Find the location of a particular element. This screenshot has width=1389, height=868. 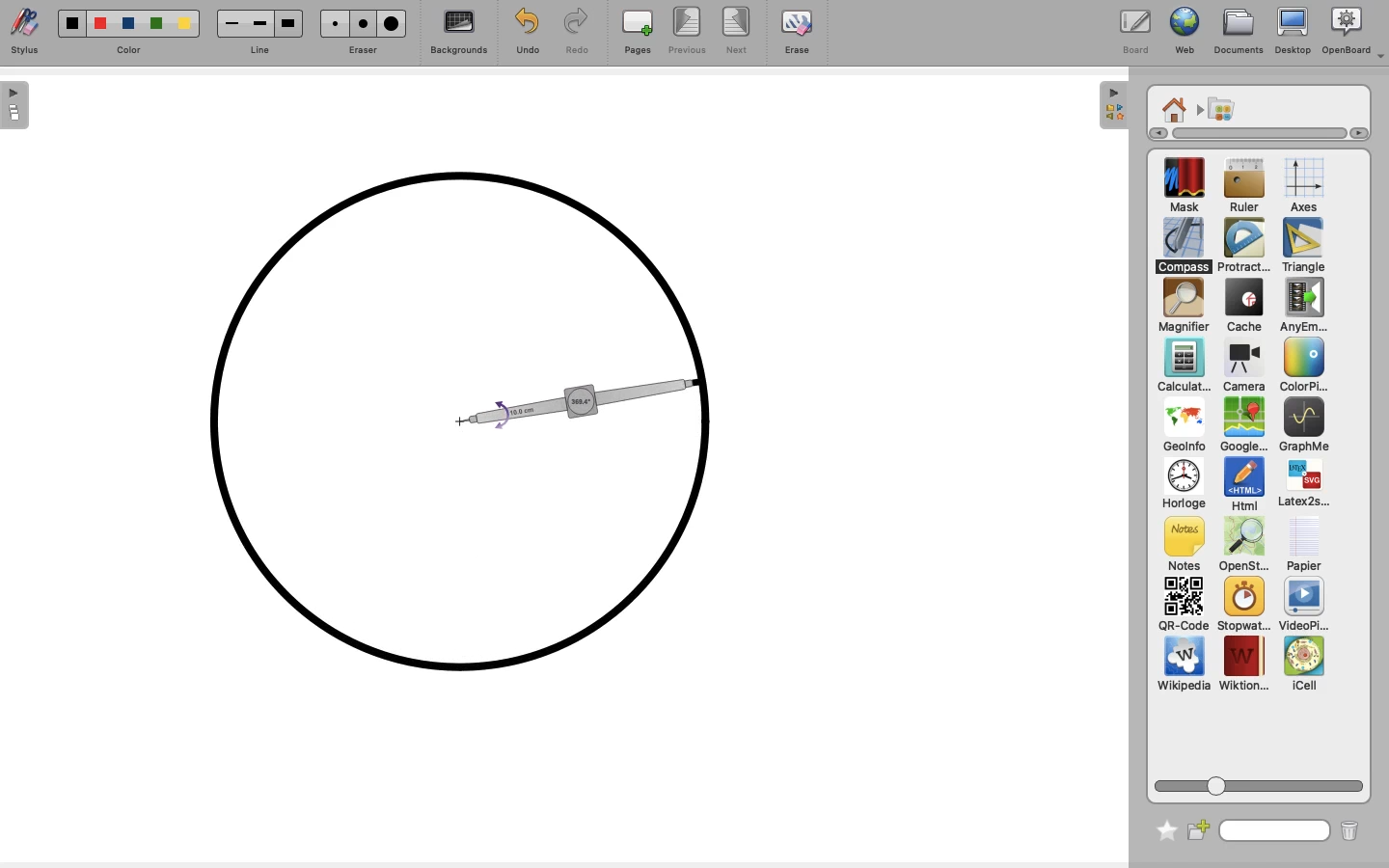

Eraser is located at coordinates (364, 49).